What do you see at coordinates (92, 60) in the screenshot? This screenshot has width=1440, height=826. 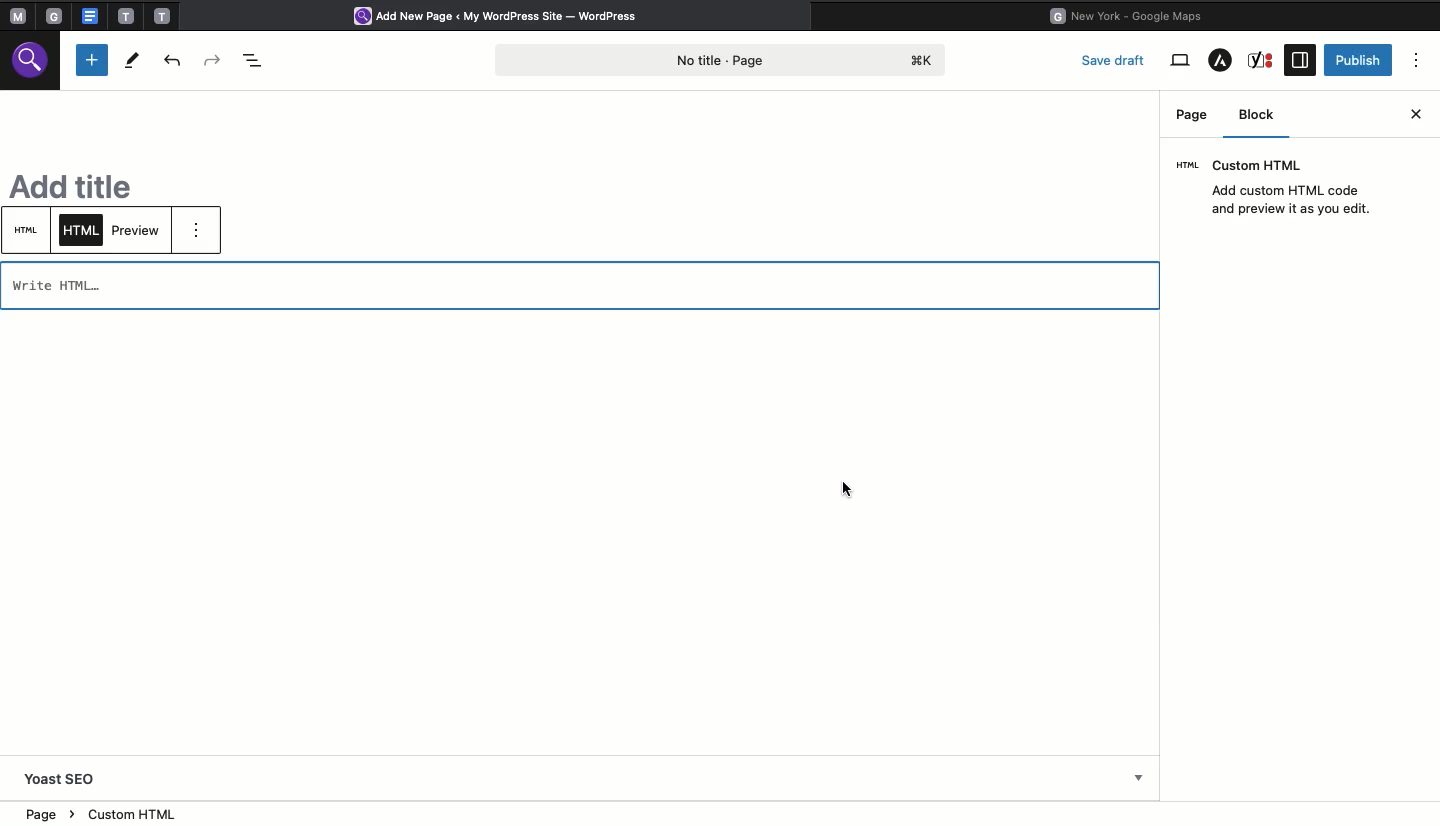 I see `Add new block` at bounding box center [92, 60].